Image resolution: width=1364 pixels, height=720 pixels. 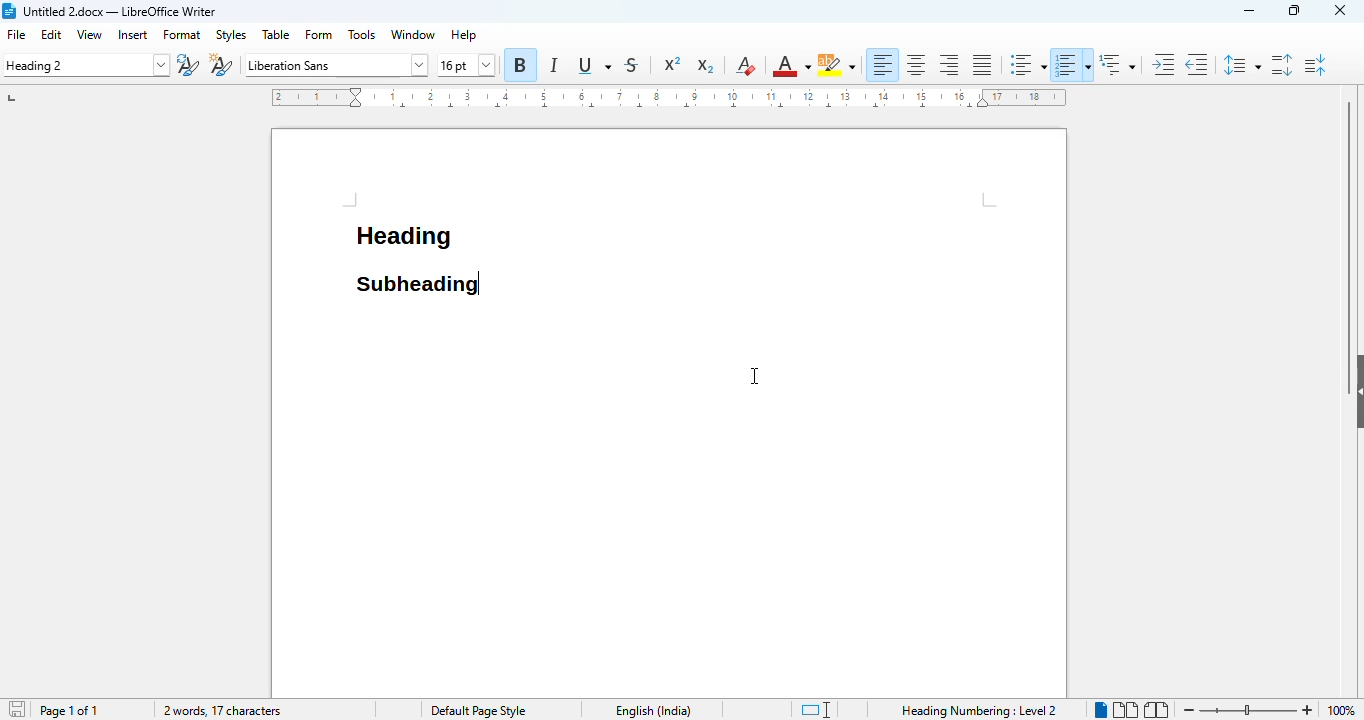 I want to click on table, so click(x=275, y=34).